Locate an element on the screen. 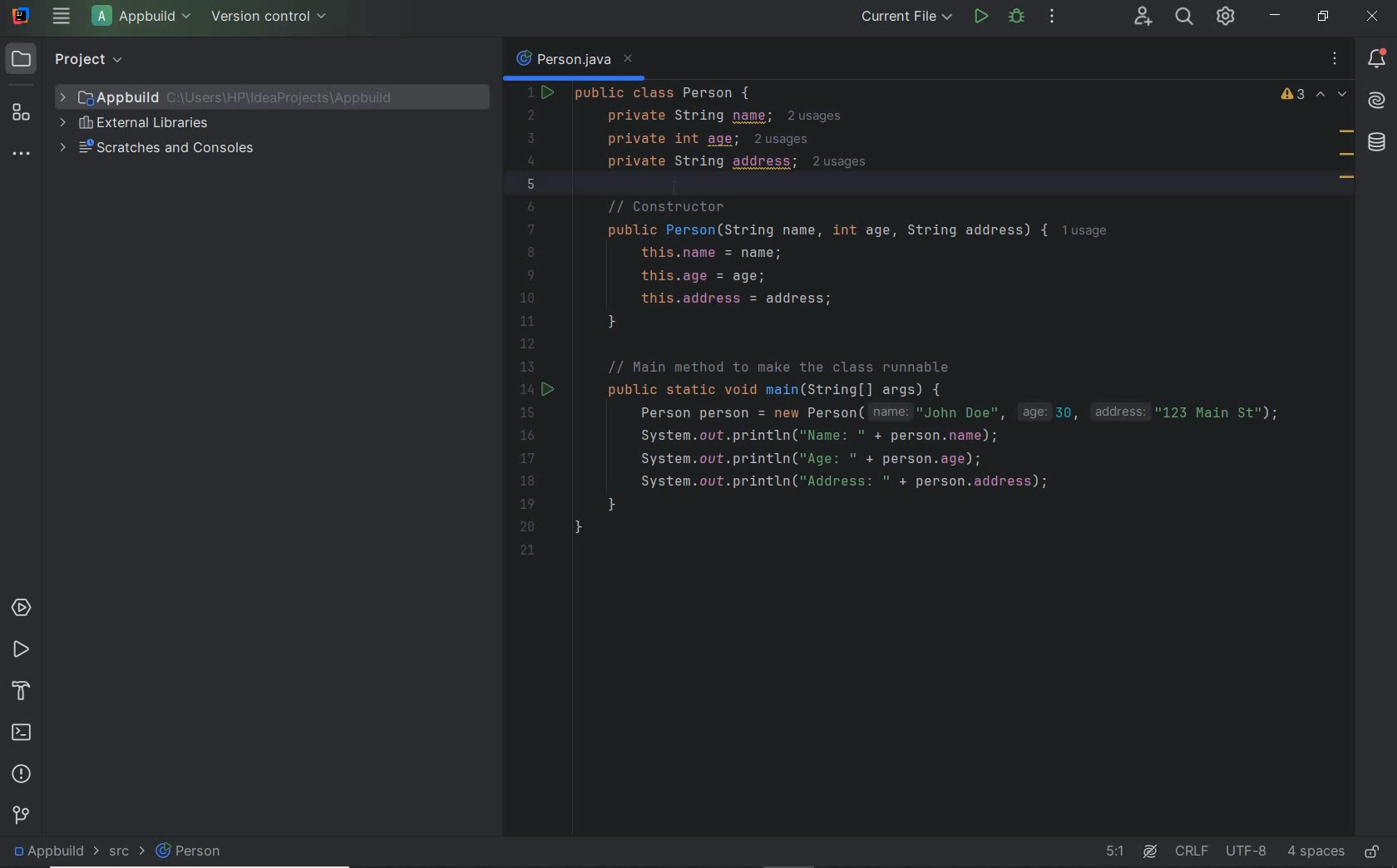 The width and height of the screenshot is (1397, 868). src is located at coordinates (116, 854).